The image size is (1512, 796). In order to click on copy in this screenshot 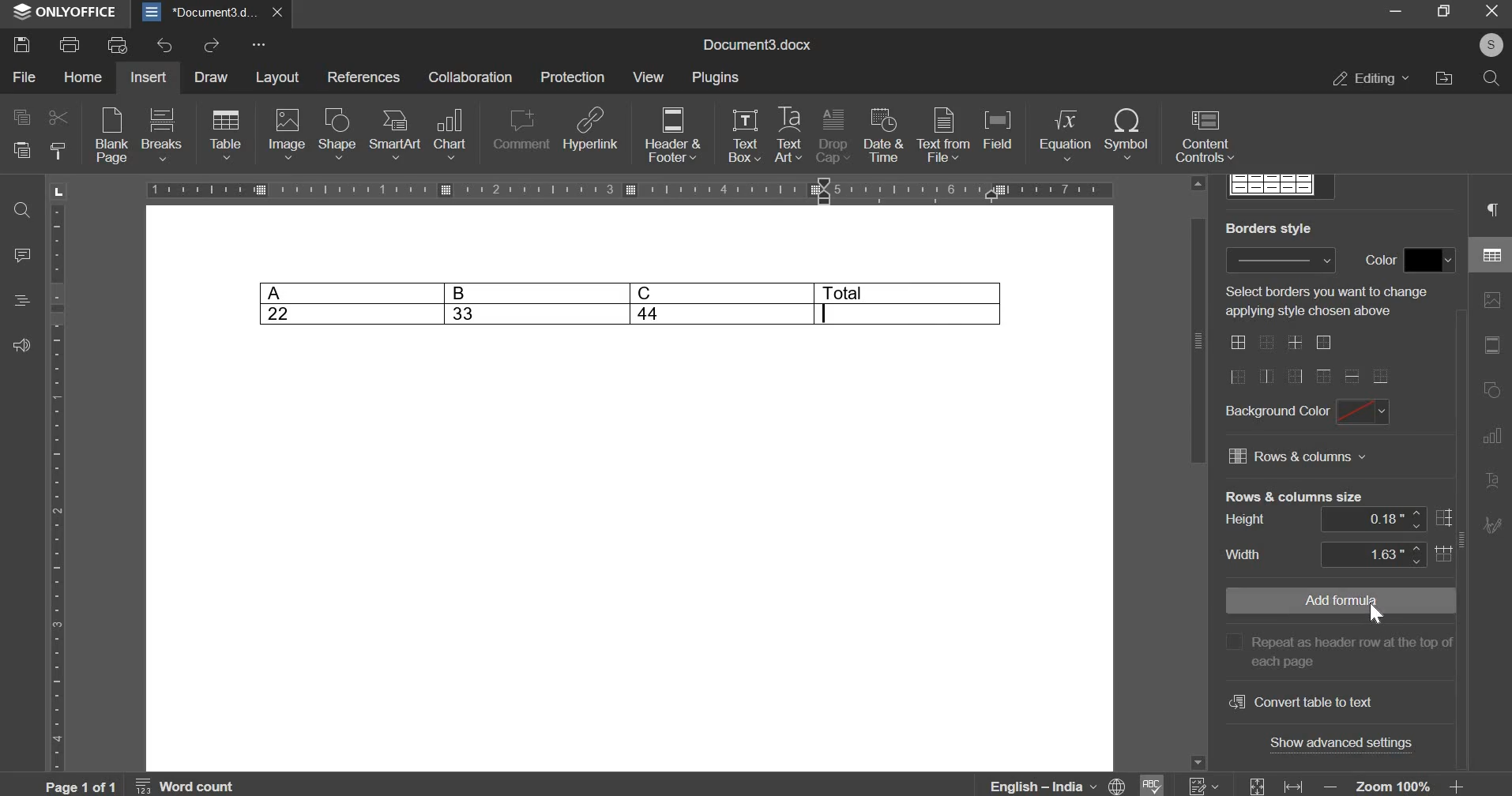, I will do `click(19, 119)`.